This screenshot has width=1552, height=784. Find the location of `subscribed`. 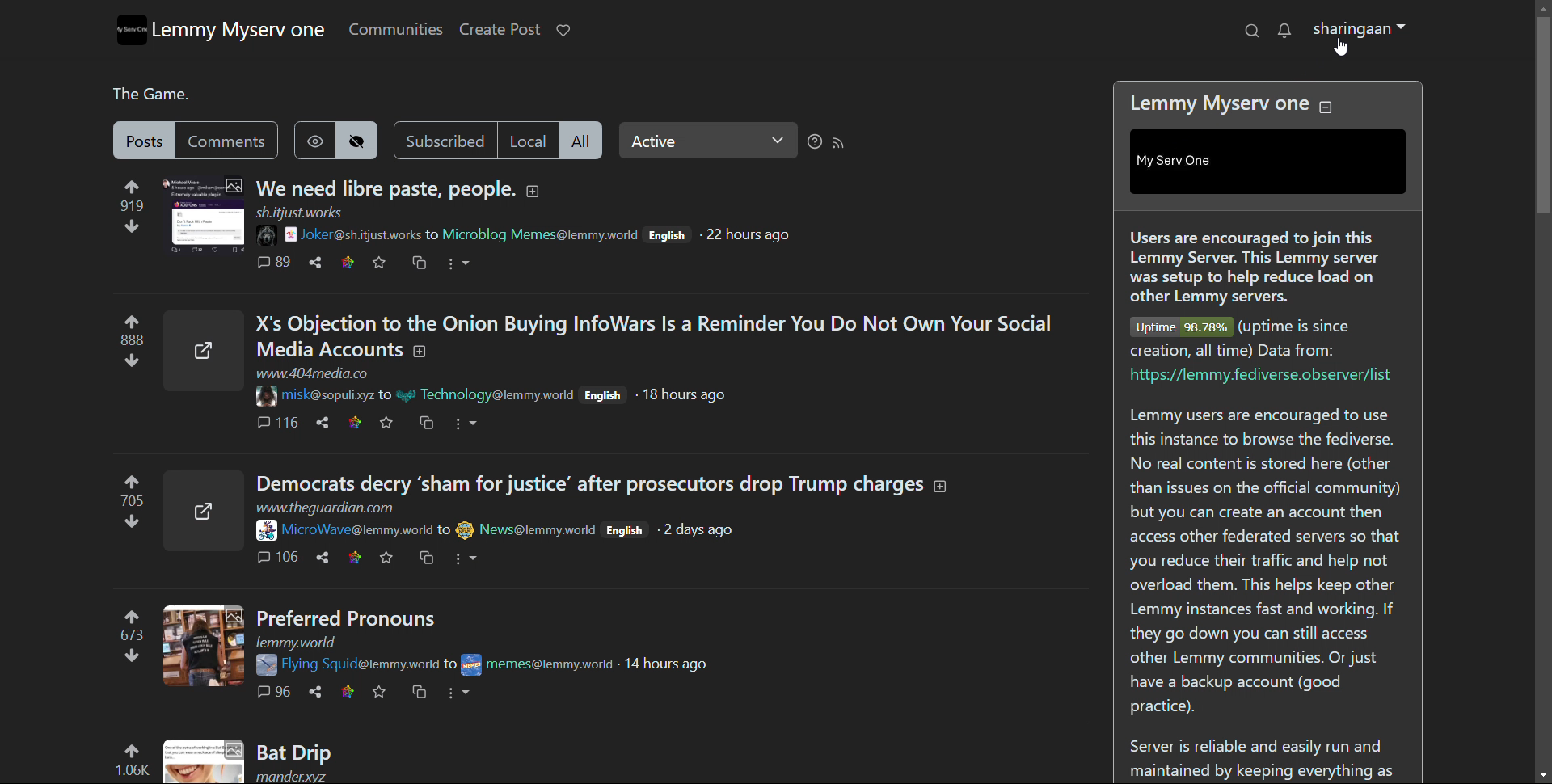

subscribed is located at coordinates (444, 141).